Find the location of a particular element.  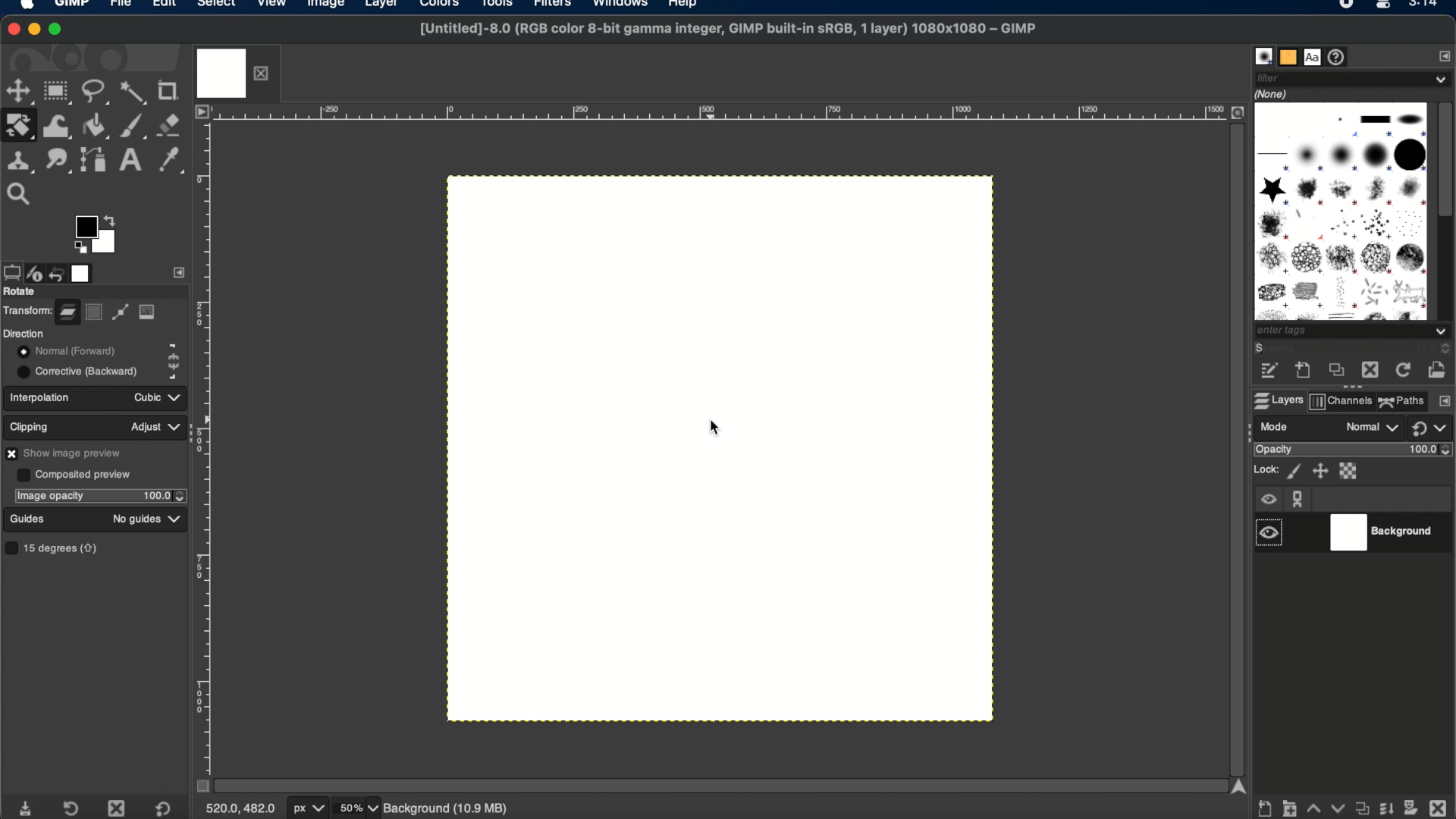

scroll bar is located at coordinates (1235, 445).